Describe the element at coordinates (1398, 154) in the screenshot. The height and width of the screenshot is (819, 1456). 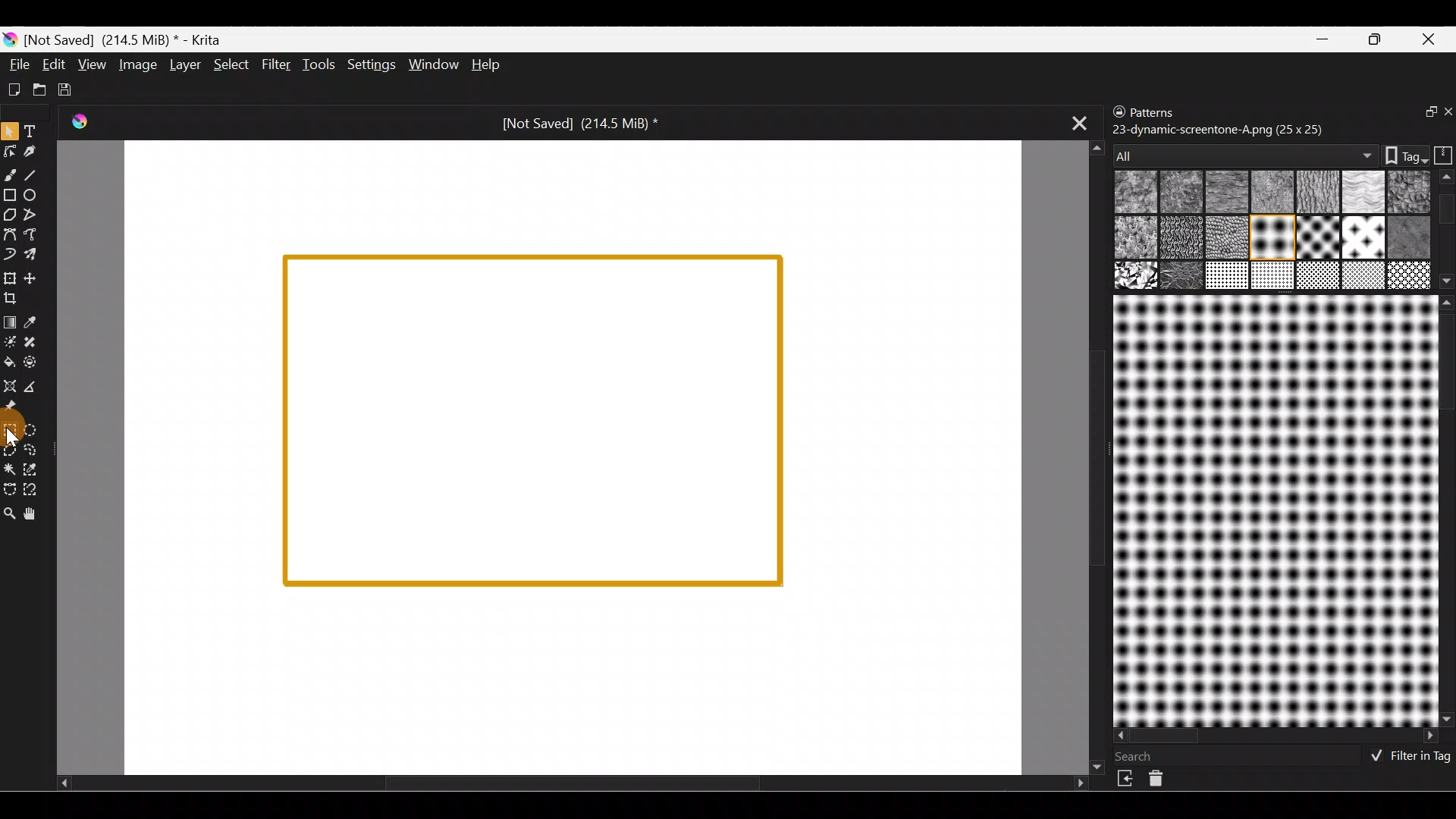
I see `Tags` at that location.